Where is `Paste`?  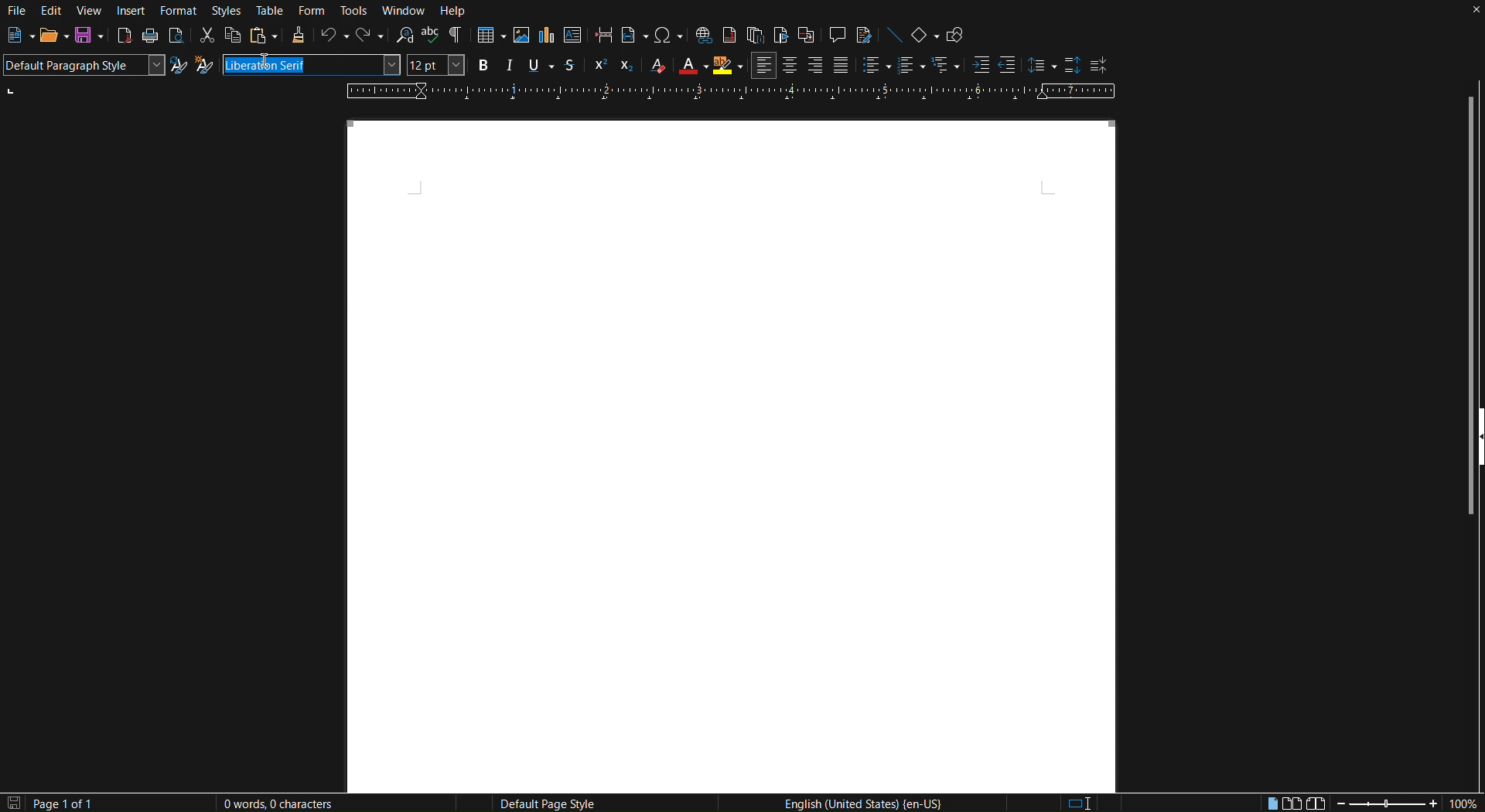
Paste is located at coordinates (264, 38).